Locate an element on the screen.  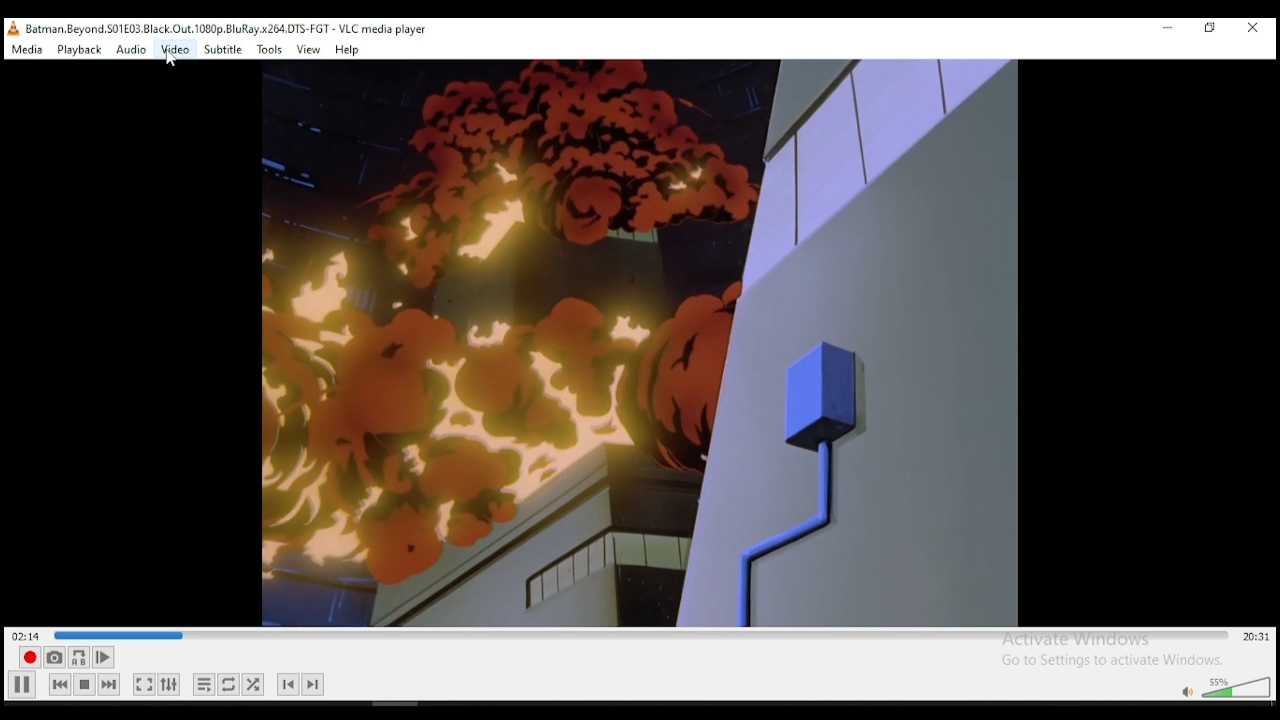
show extended settings is located at coordinates (253, 683).